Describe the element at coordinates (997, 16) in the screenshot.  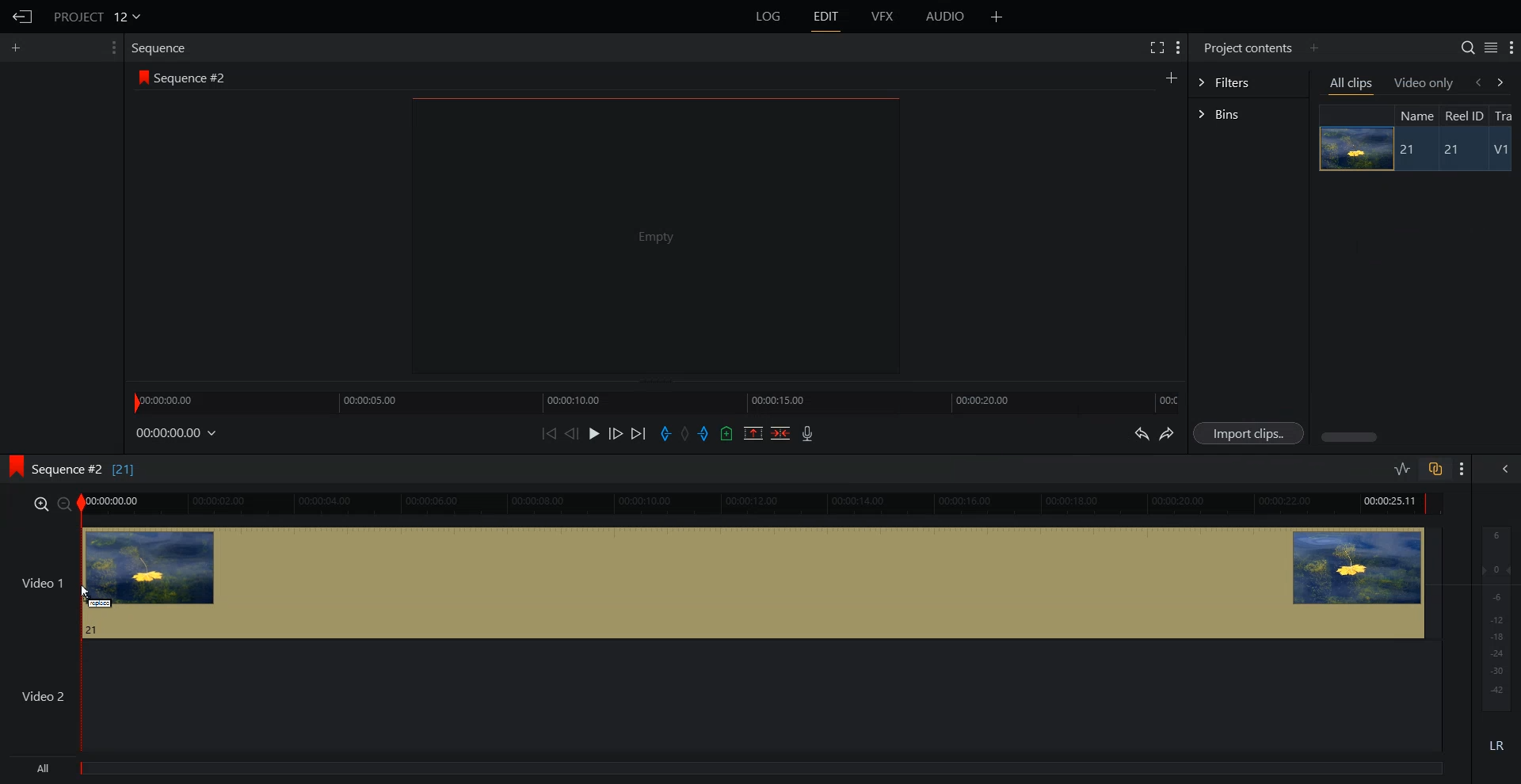
I see `Add Panel` at that location.